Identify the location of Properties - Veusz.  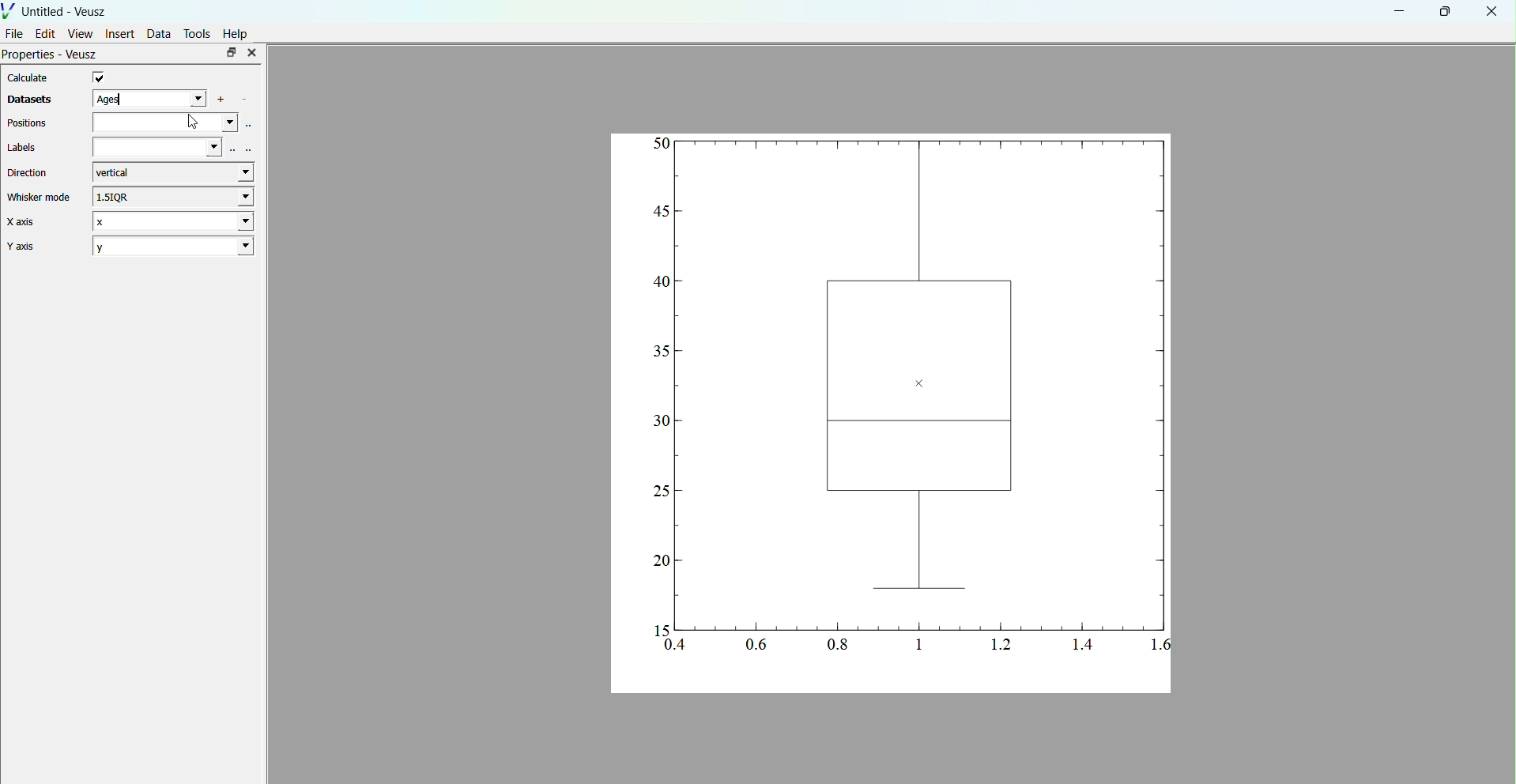
(52, 56).